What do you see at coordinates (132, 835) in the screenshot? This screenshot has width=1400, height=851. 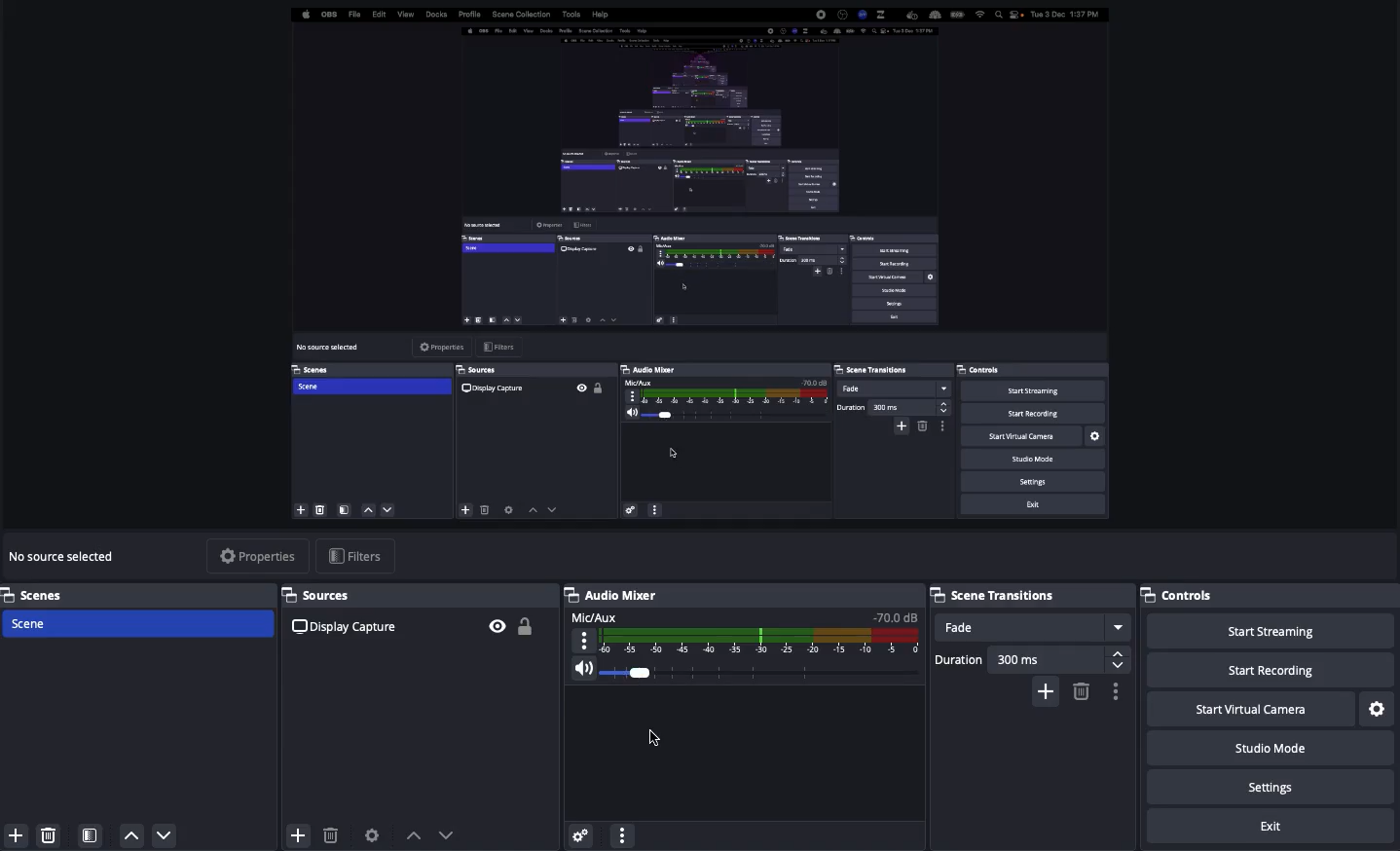 I see `Up` at bounding box center [132, 835].